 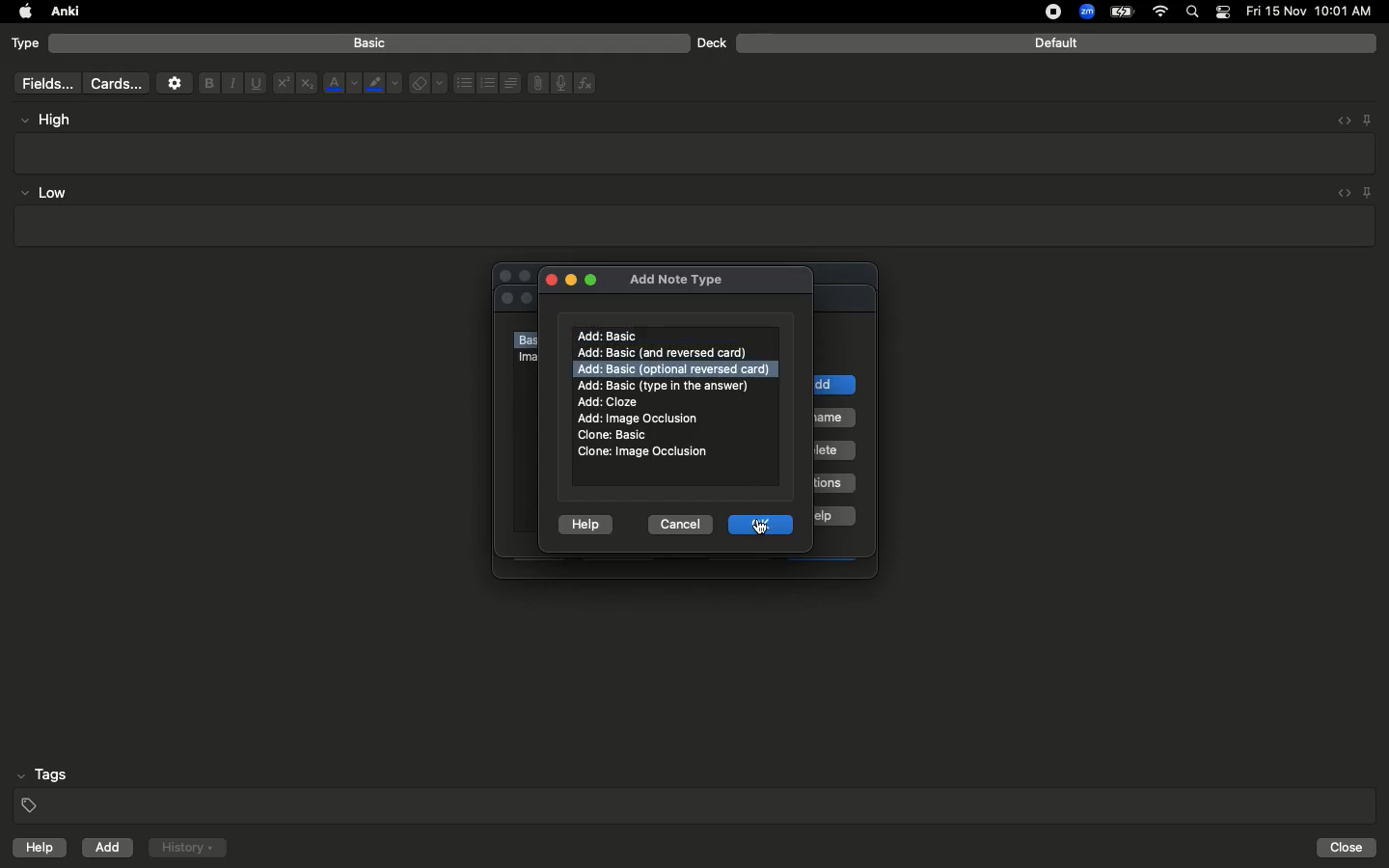 What do you see at coordinates (611, 435) in the screenshot?
I see `Close basic` at bounding box center [611, 435].